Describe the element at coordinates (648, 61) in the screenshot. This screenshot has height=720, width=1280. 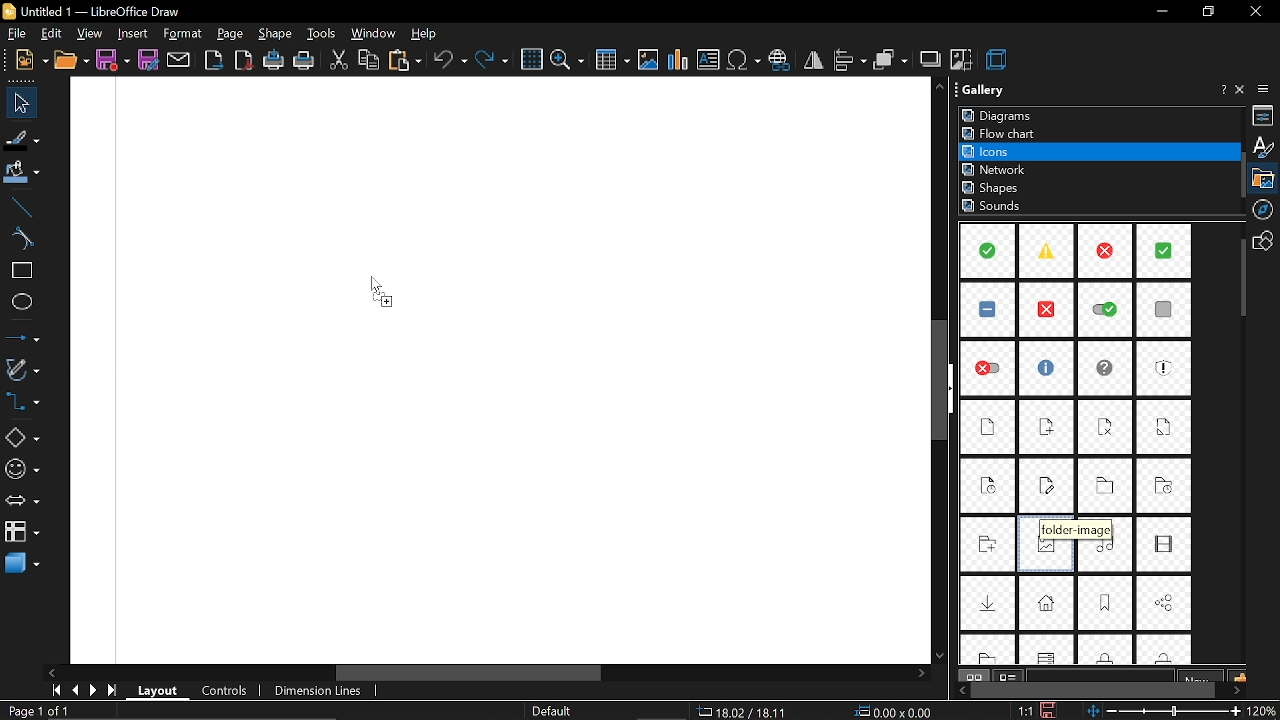
I see `insert image` at that location.